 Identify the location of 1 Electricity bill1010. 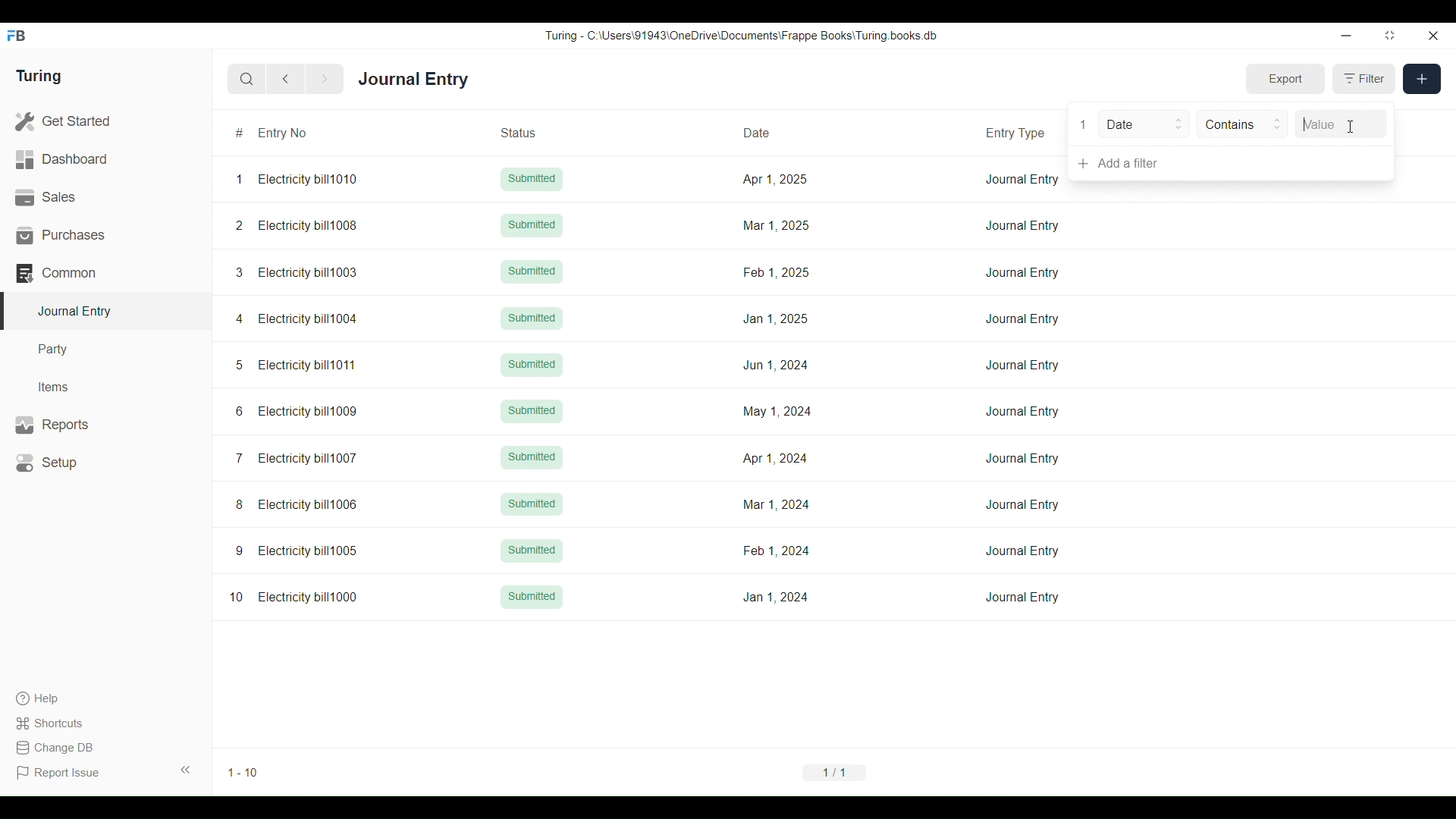
(297, 179).